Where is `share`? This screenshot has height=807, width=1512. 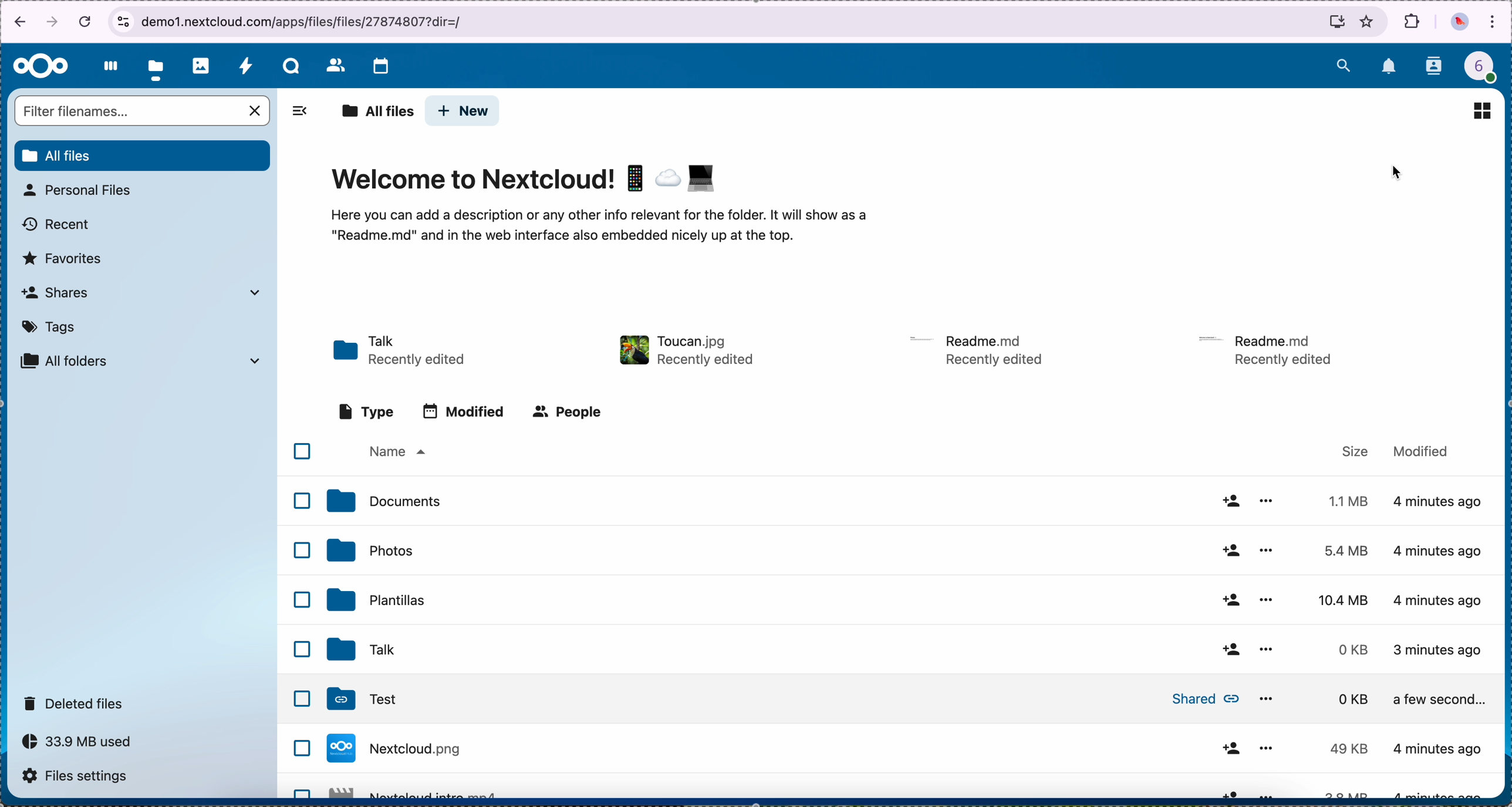
share is located at coordinates (1229, 650).